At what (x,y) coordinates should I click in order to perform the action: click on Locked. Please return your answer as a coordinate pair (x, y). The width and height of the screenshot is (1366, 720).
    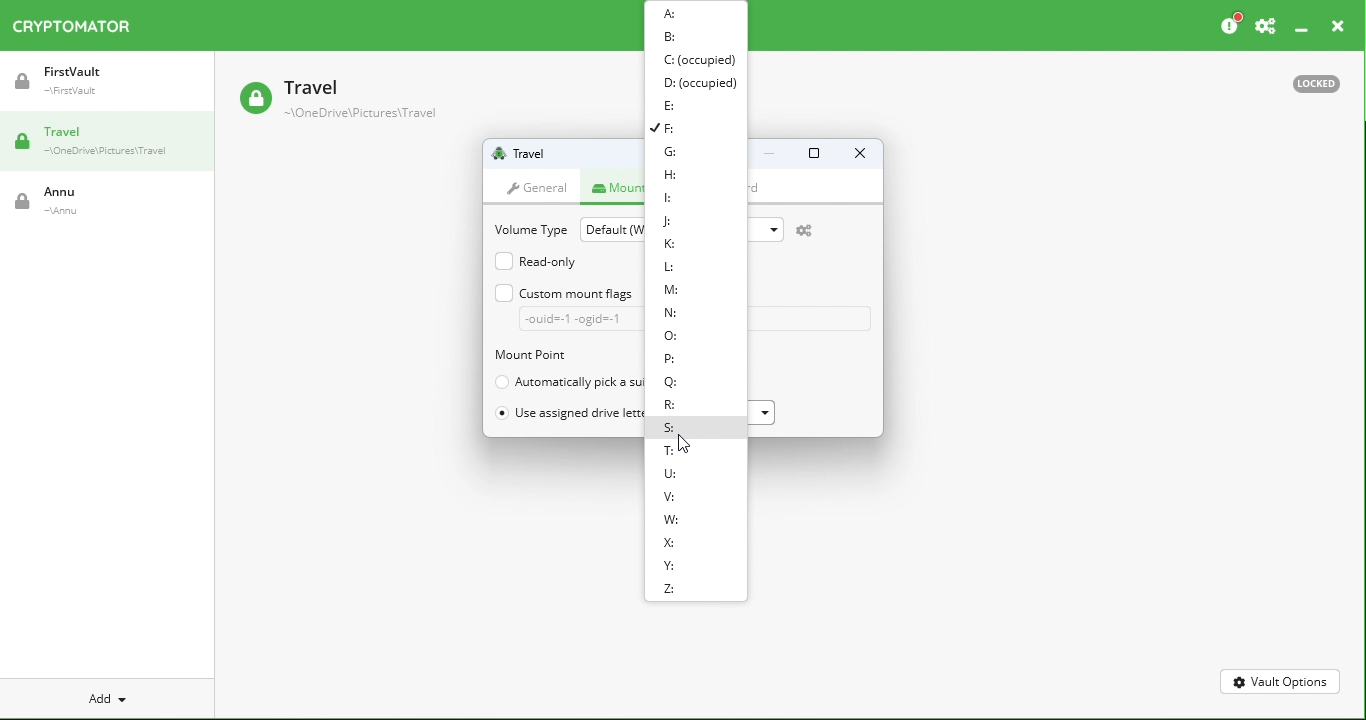
    Looking at the image, I should click on (1322, 83).